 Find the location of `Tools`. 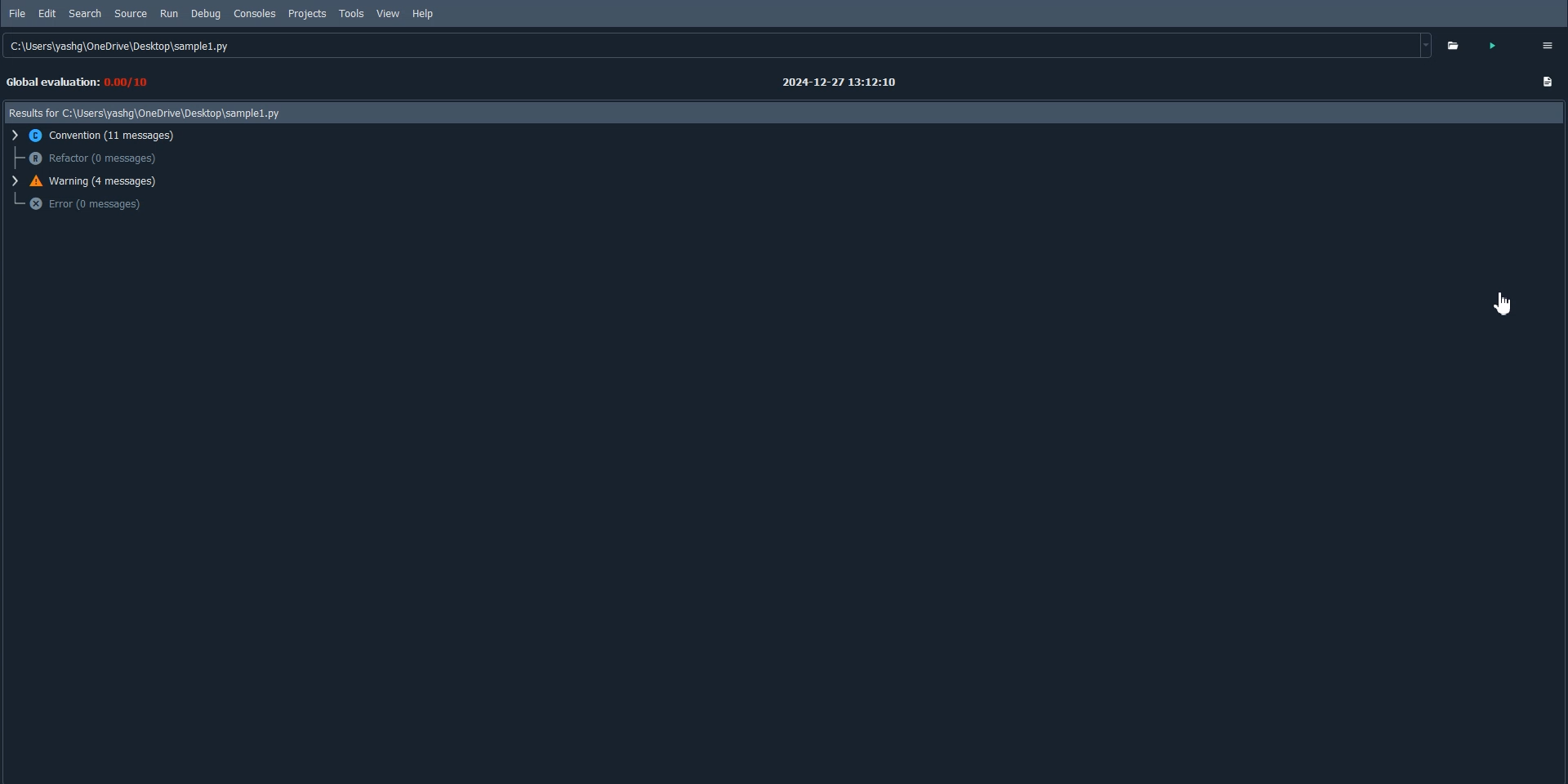

Tools is located at coordinates (352, 14).